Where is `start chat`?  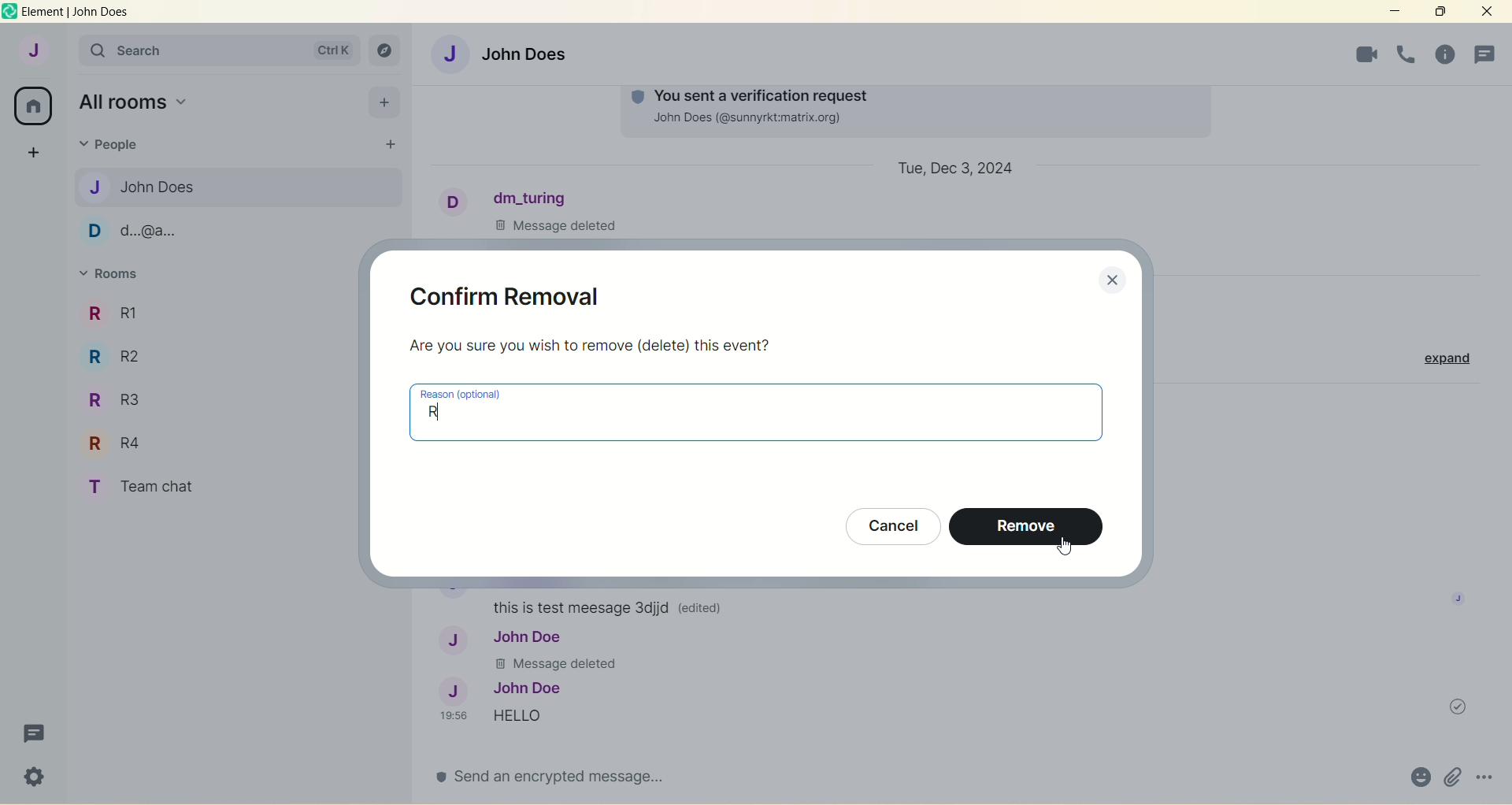 start chat is located at coordinates (391, 143).